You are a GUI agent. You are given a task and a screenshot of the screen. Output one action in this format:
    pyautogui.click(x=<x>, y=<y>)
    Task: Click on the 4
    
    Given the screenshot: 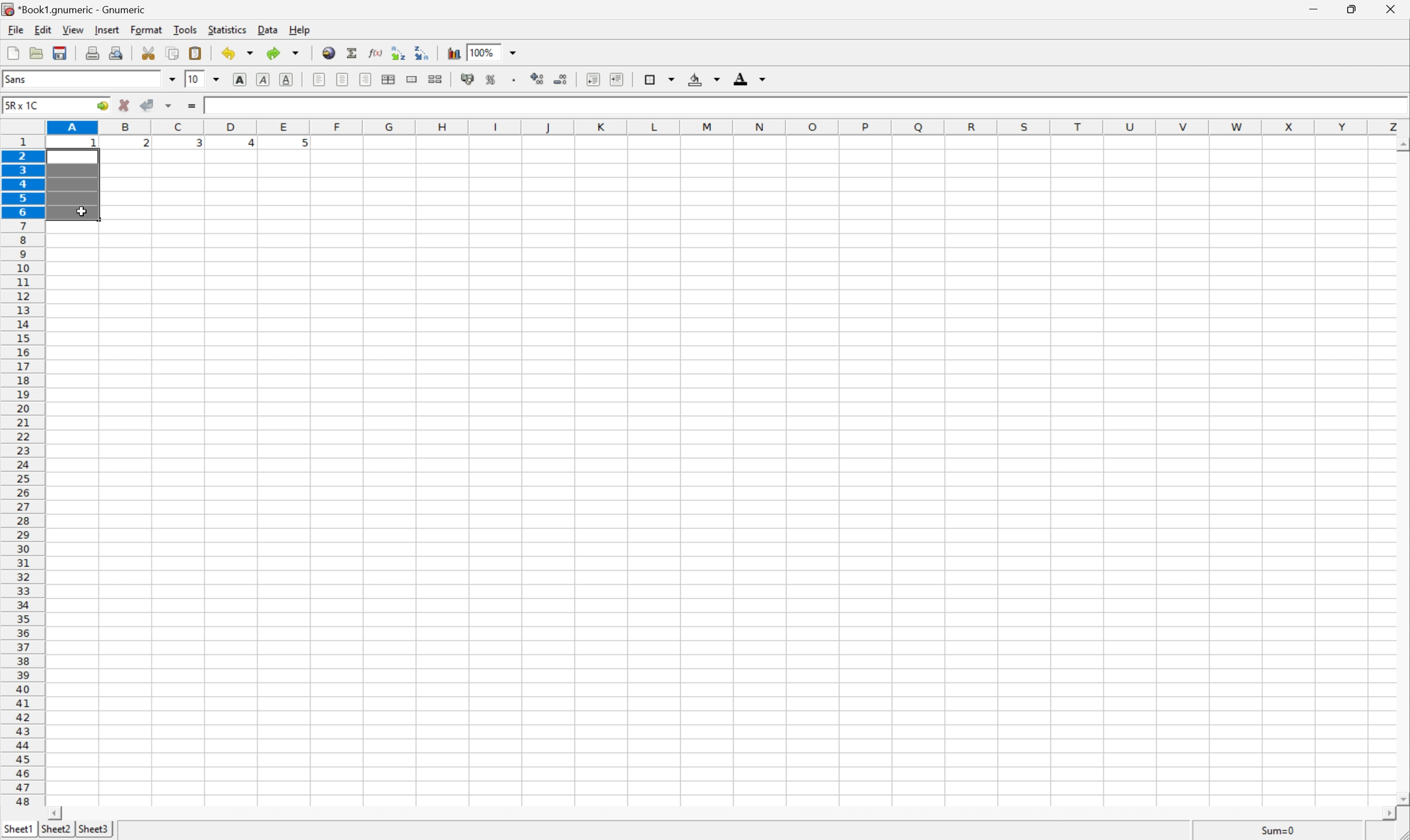 What is the action you would take?
    pyautogui.click(x=246, y=144)
    